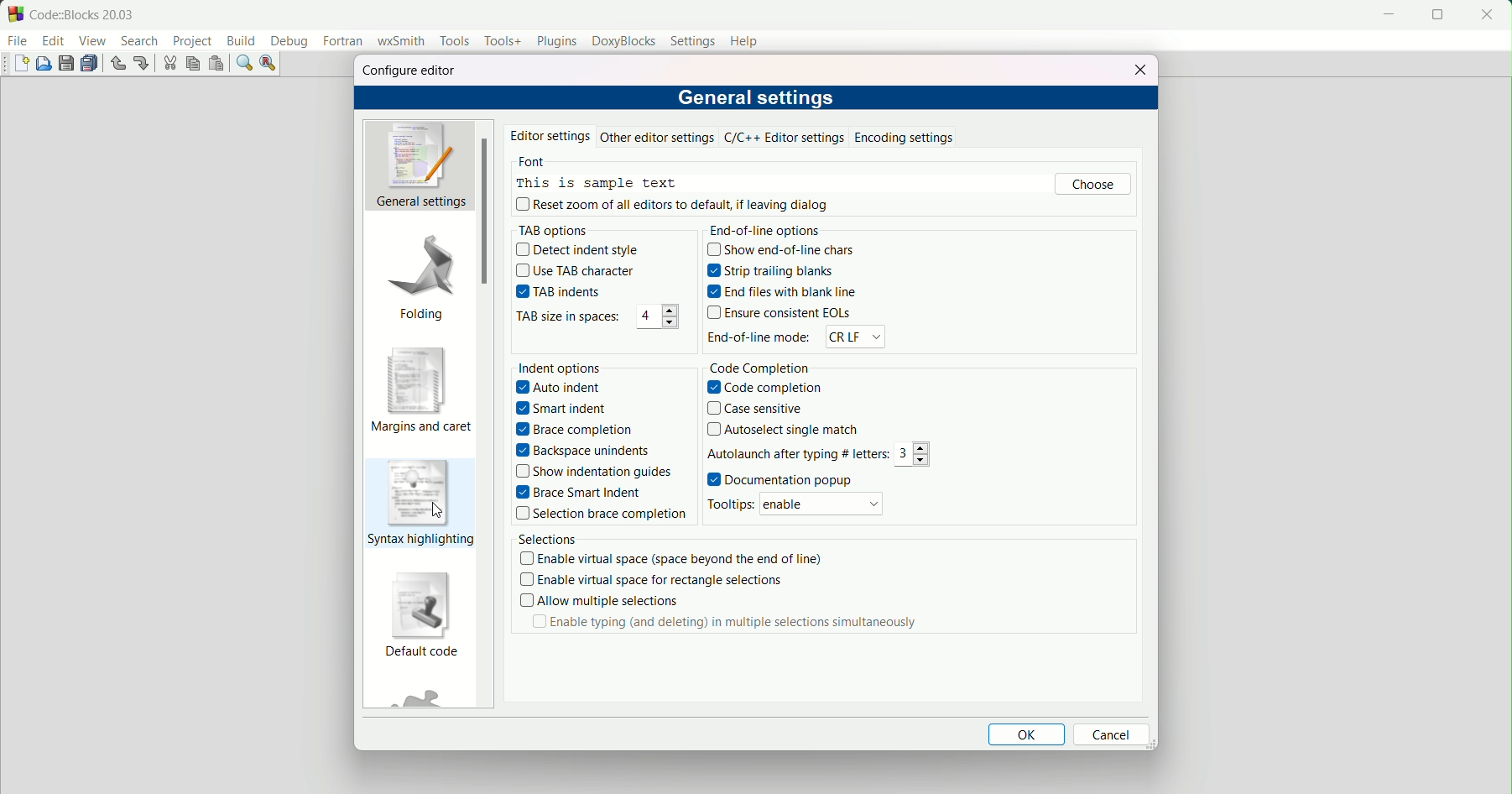 The width and height of the screenshot is (1512, 794). What do you see at coordinates (73, 13) in the screenshot?
I see `title and logo` at bounding box center [73, 13].